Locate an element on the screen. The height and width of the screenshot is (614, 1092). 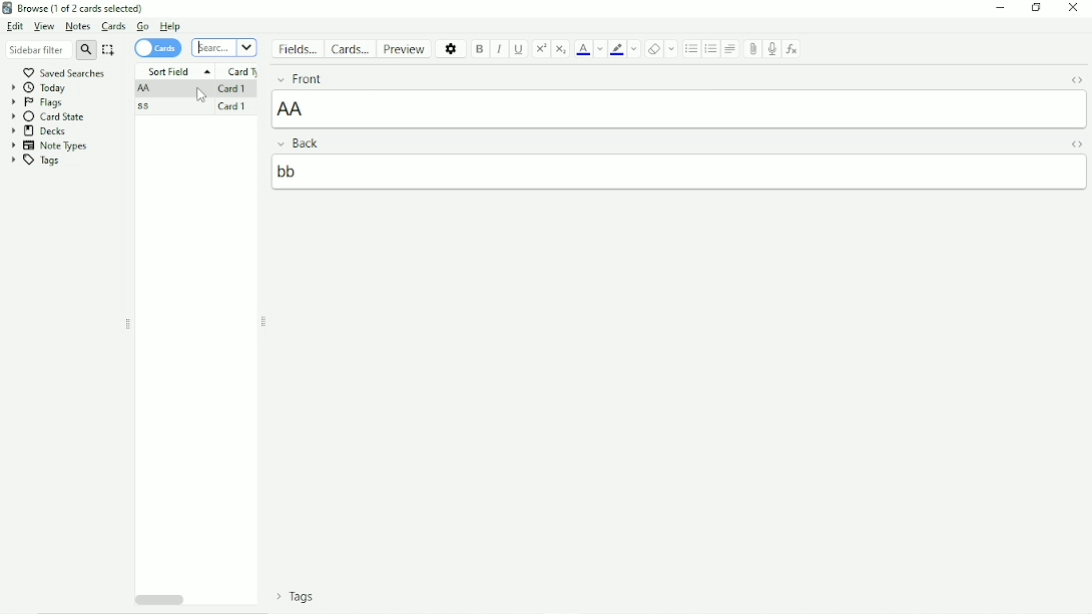
Ordered list is located at coordinates (712, 48).